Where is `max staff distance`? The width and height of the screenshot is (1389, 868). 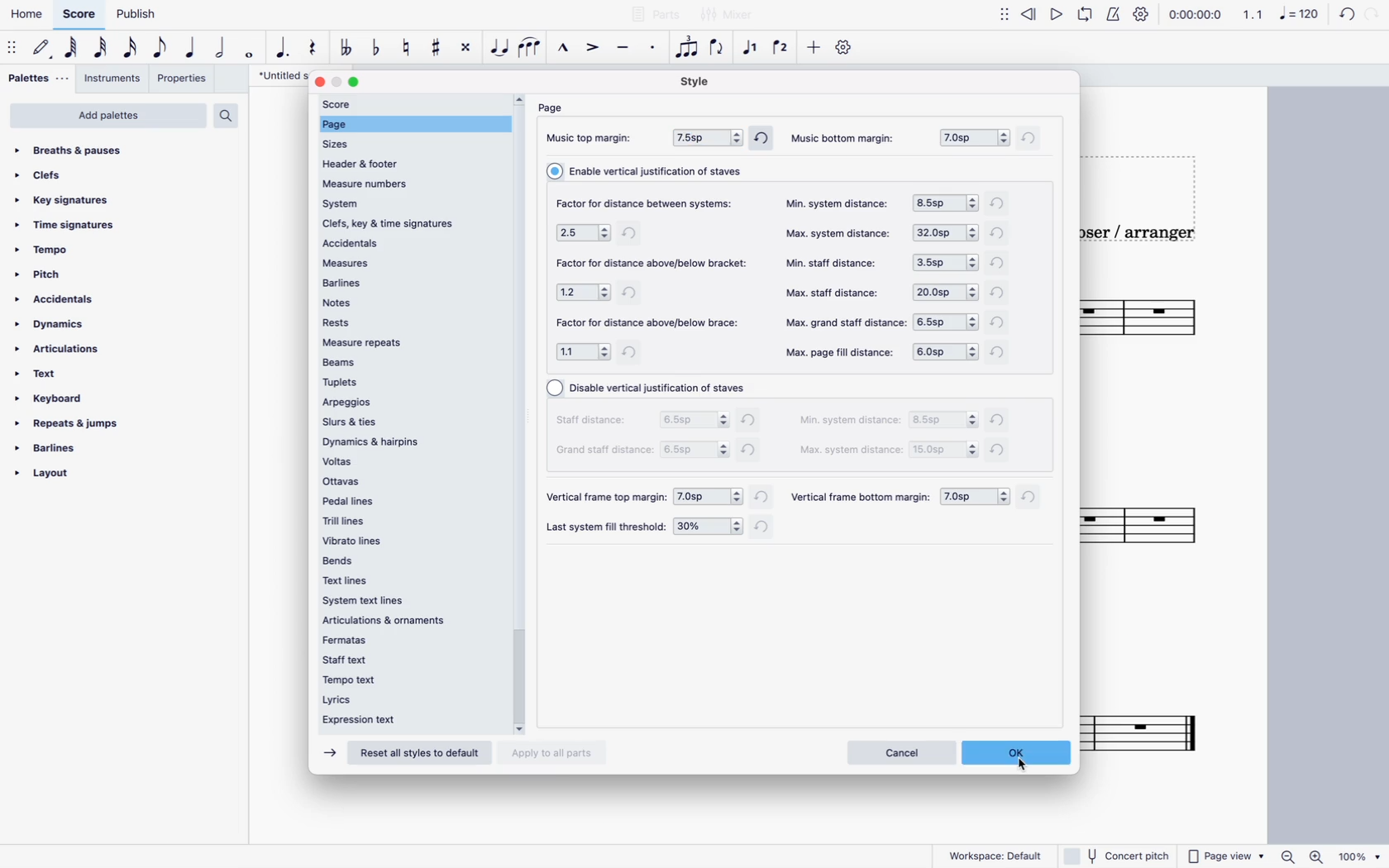 max staff distance is located at coordinates (830, 292).